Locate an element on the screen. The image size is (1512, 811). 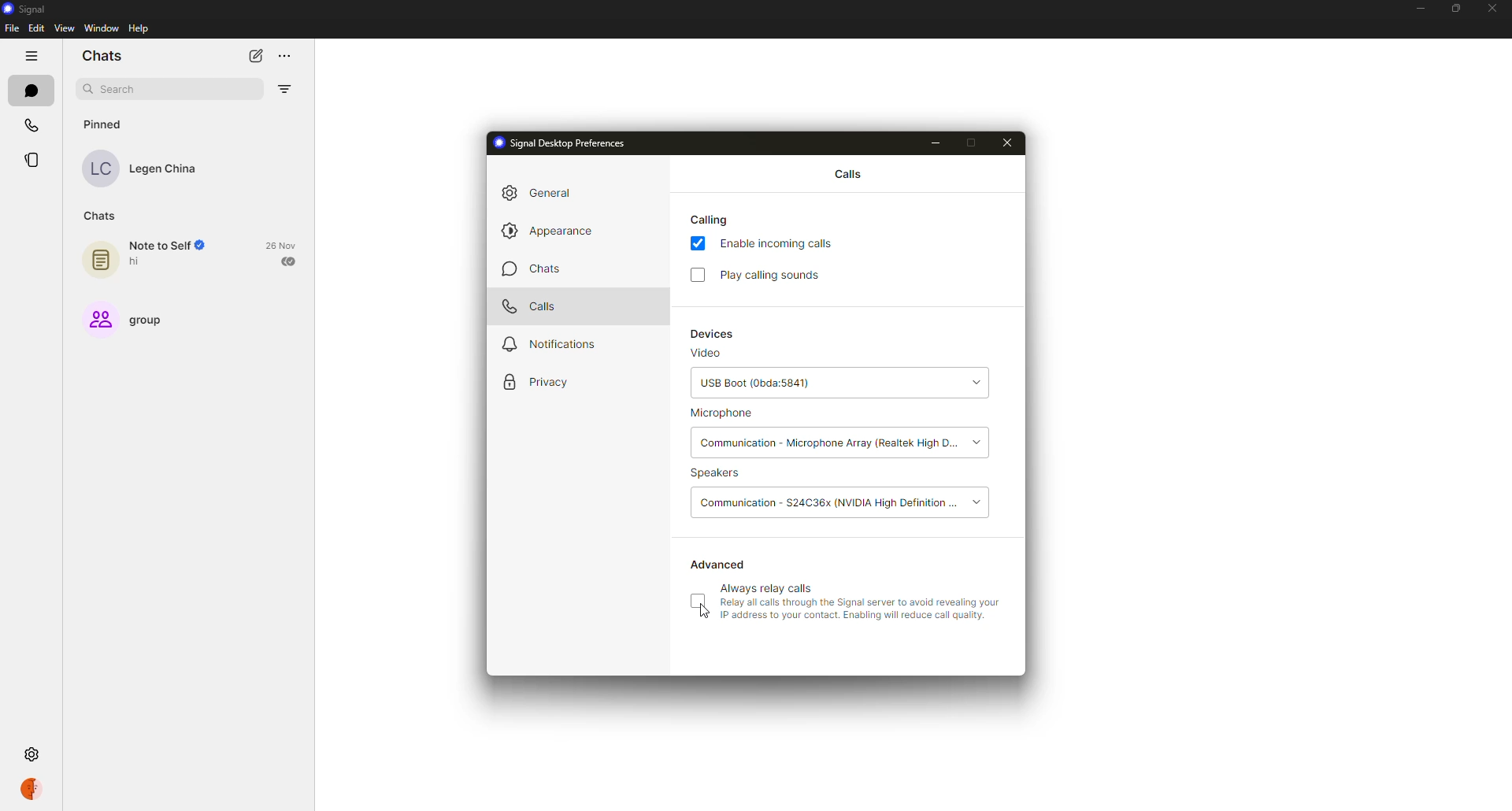
chats is located at coordinates (529, 268).